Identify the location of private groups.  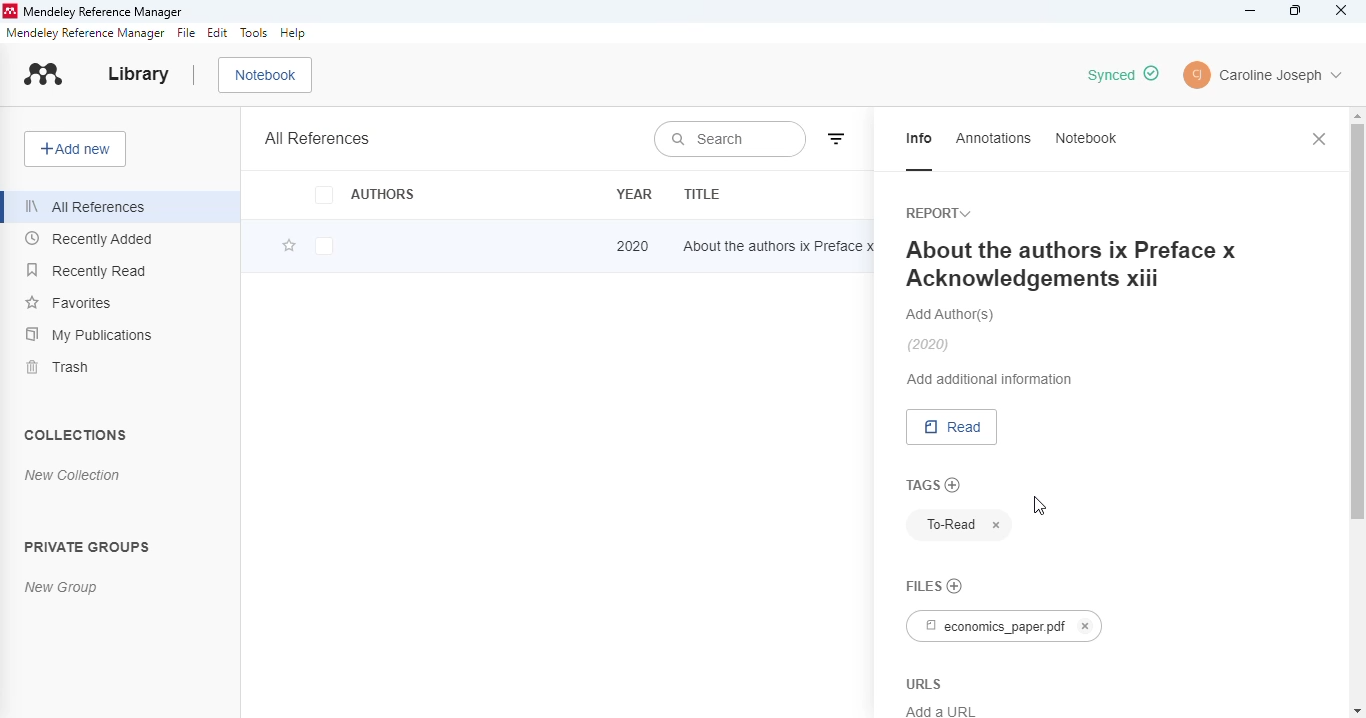
(87, 545).